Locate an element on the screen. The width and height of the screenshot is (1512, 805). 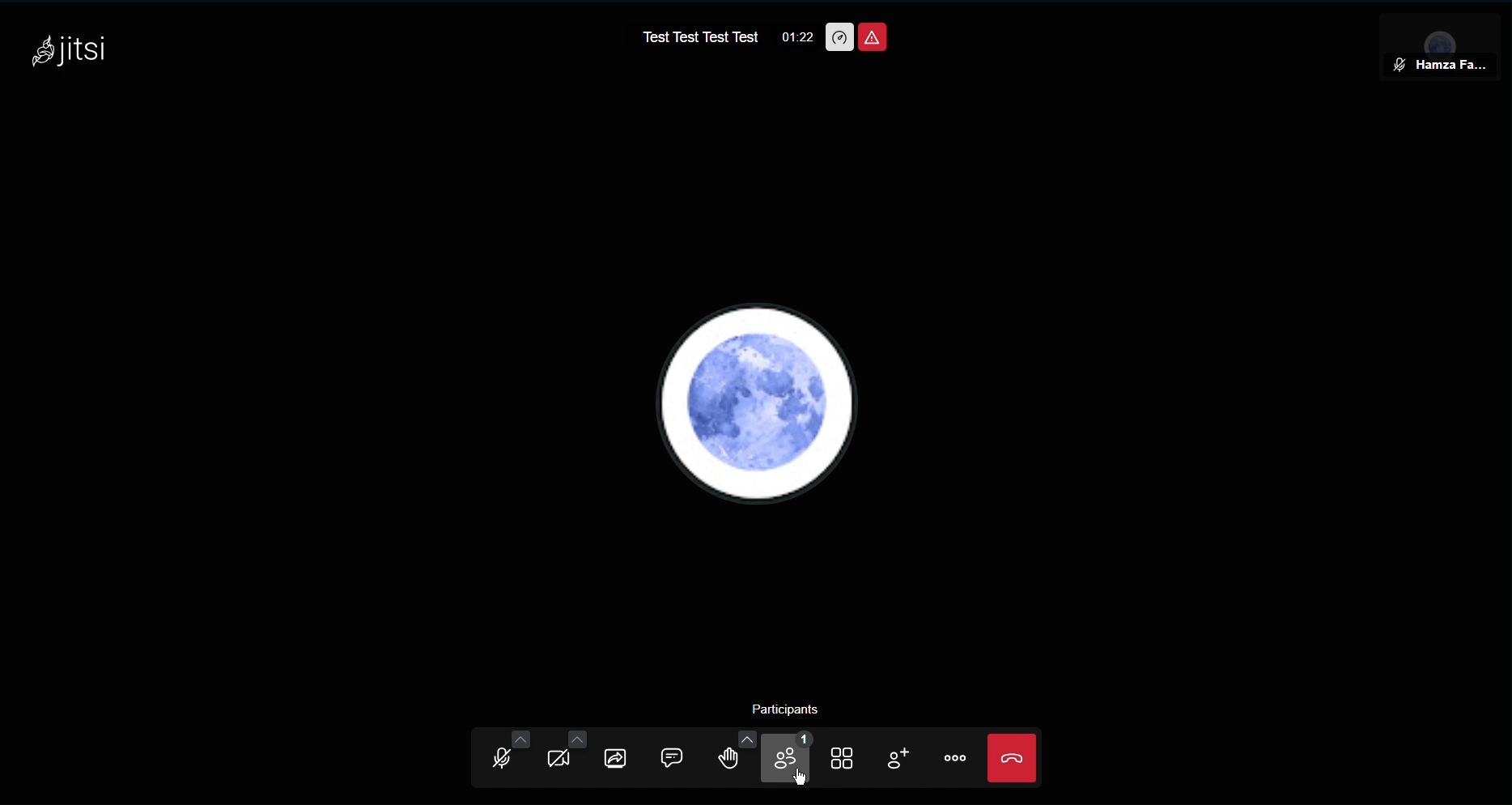
Add Participant is located at coordinates (904, 760).